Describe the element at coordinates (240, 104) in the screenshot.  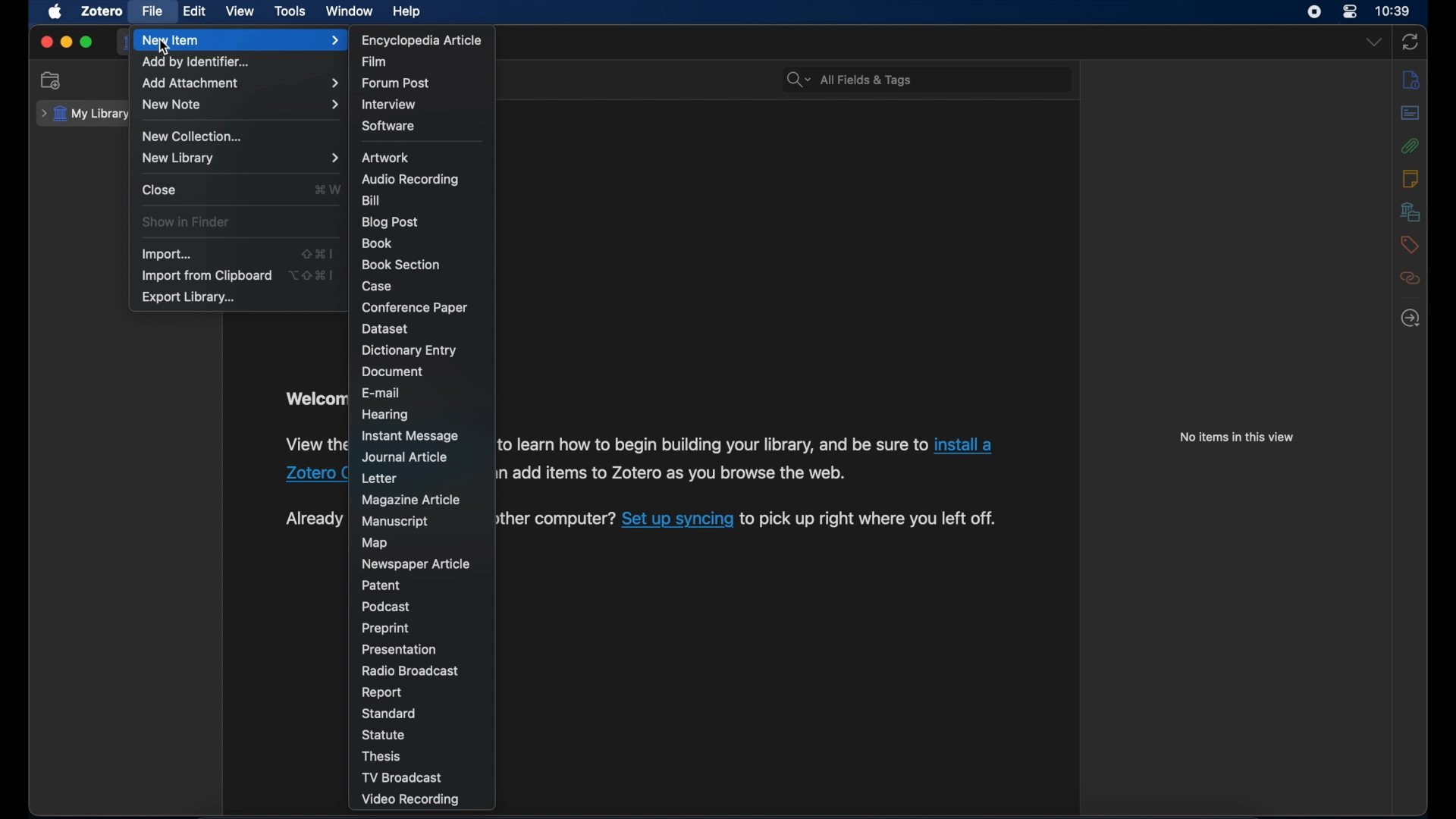
I see `new note` at that location.